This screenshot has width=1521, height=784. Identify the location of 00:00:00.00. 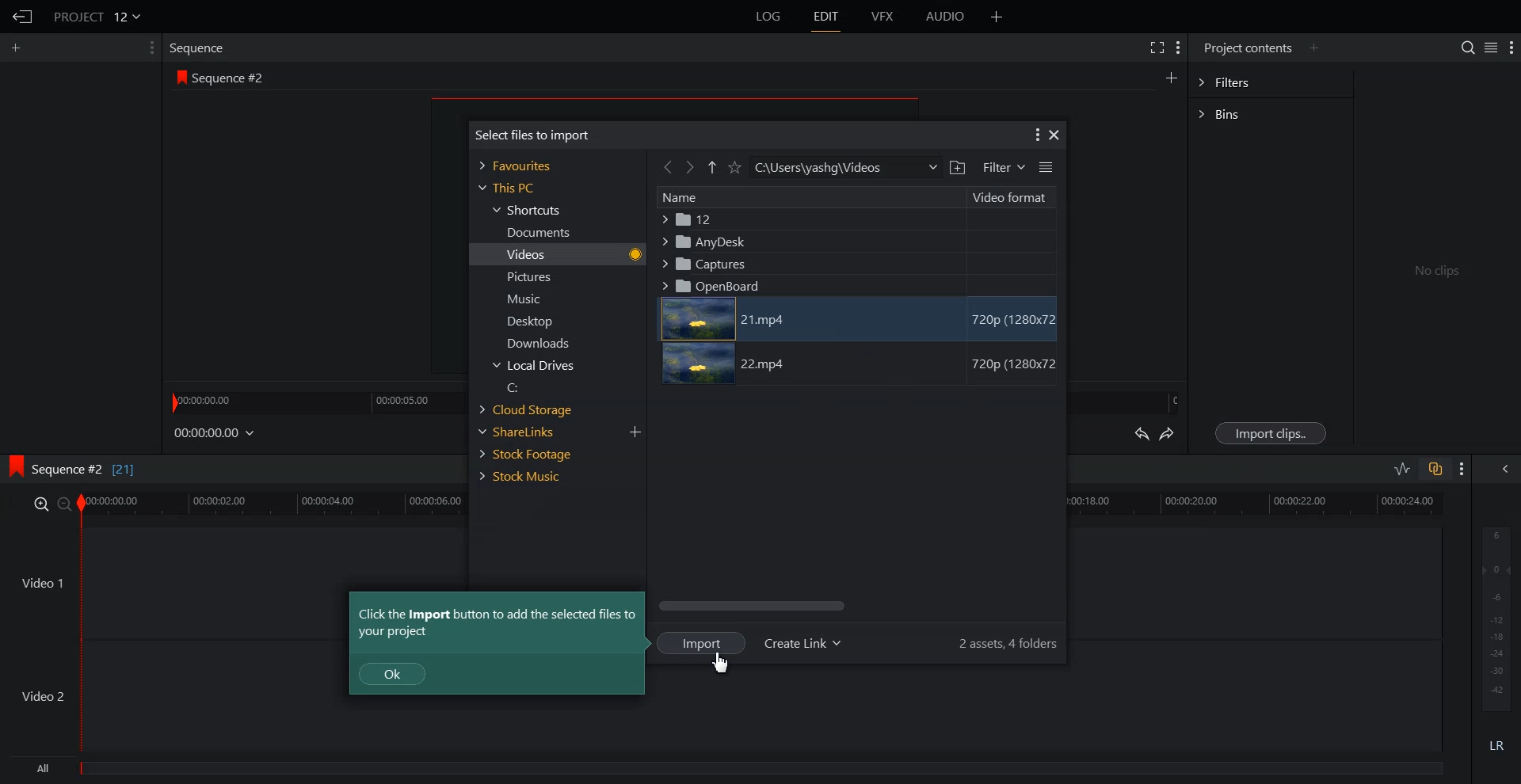
(215, 433).